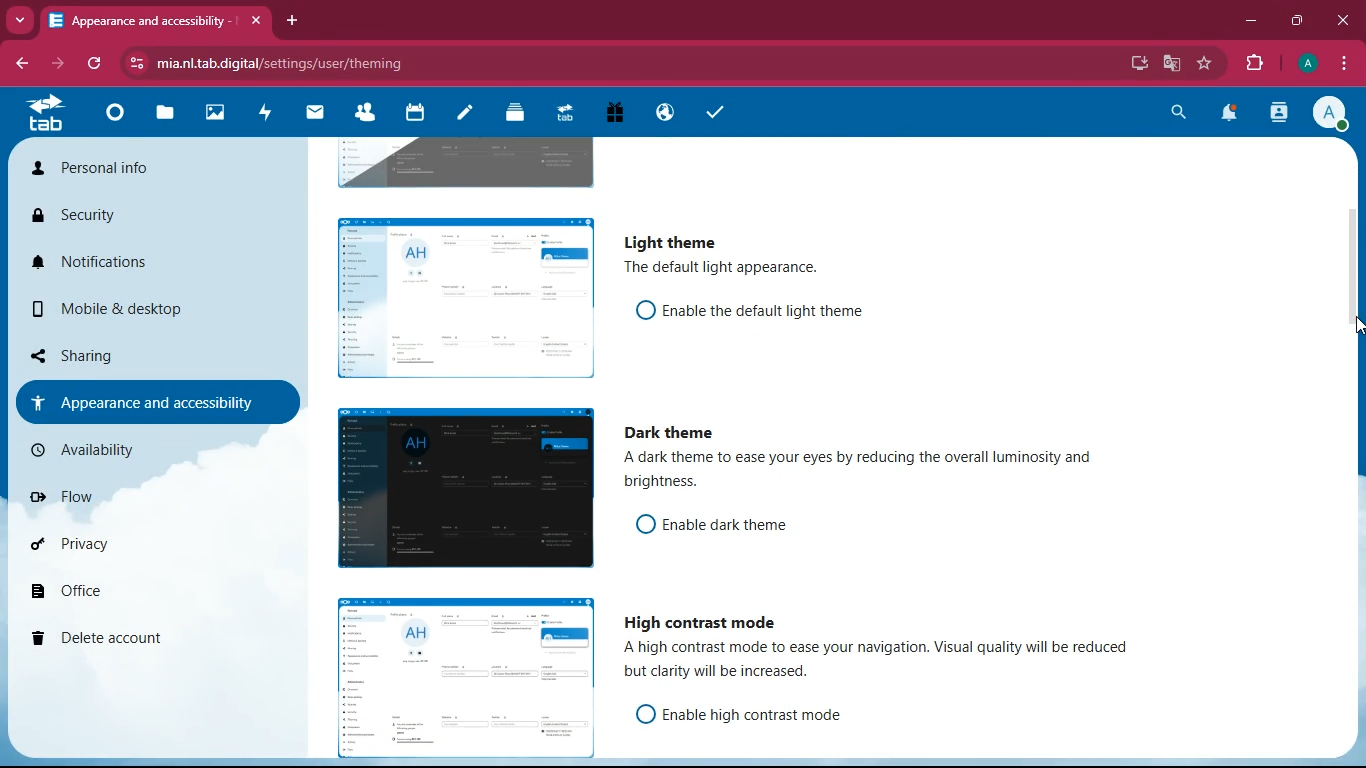 The height and width of the screenshot is (768, 1366). I want to click on description, so click(884, 473).